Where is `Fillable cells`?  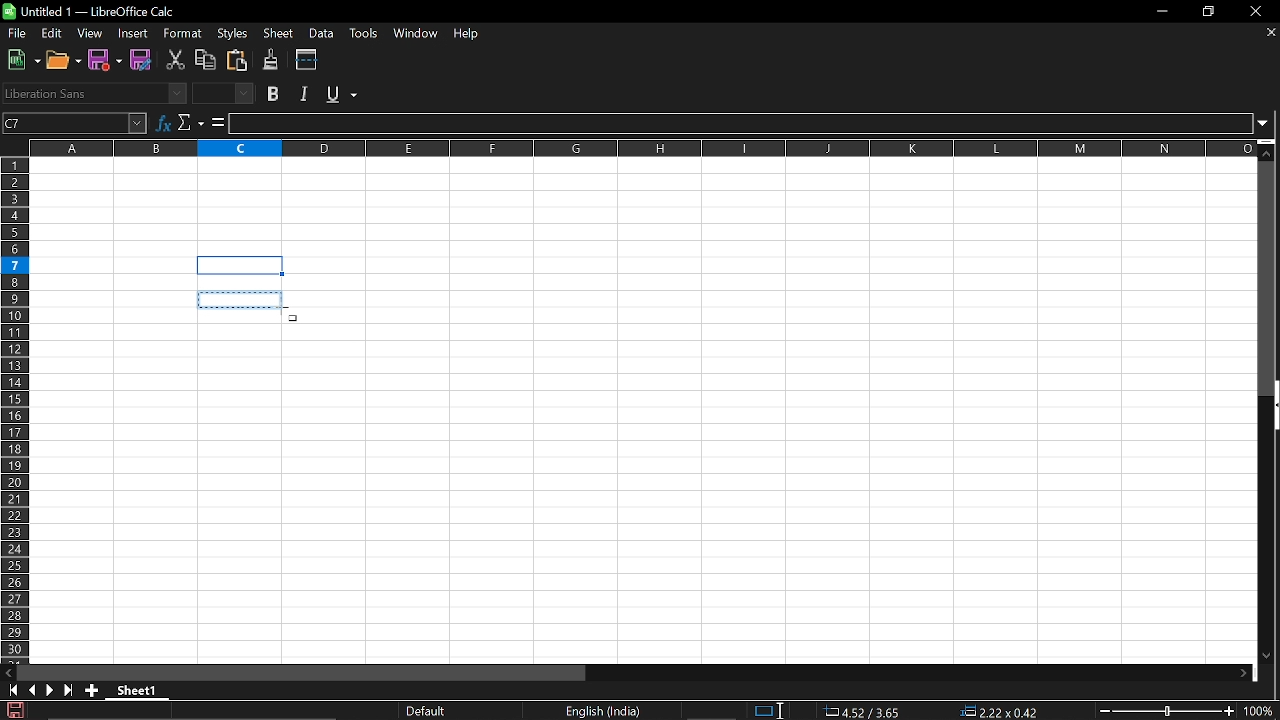 Fillable cells is located at coordinates (776, 457).